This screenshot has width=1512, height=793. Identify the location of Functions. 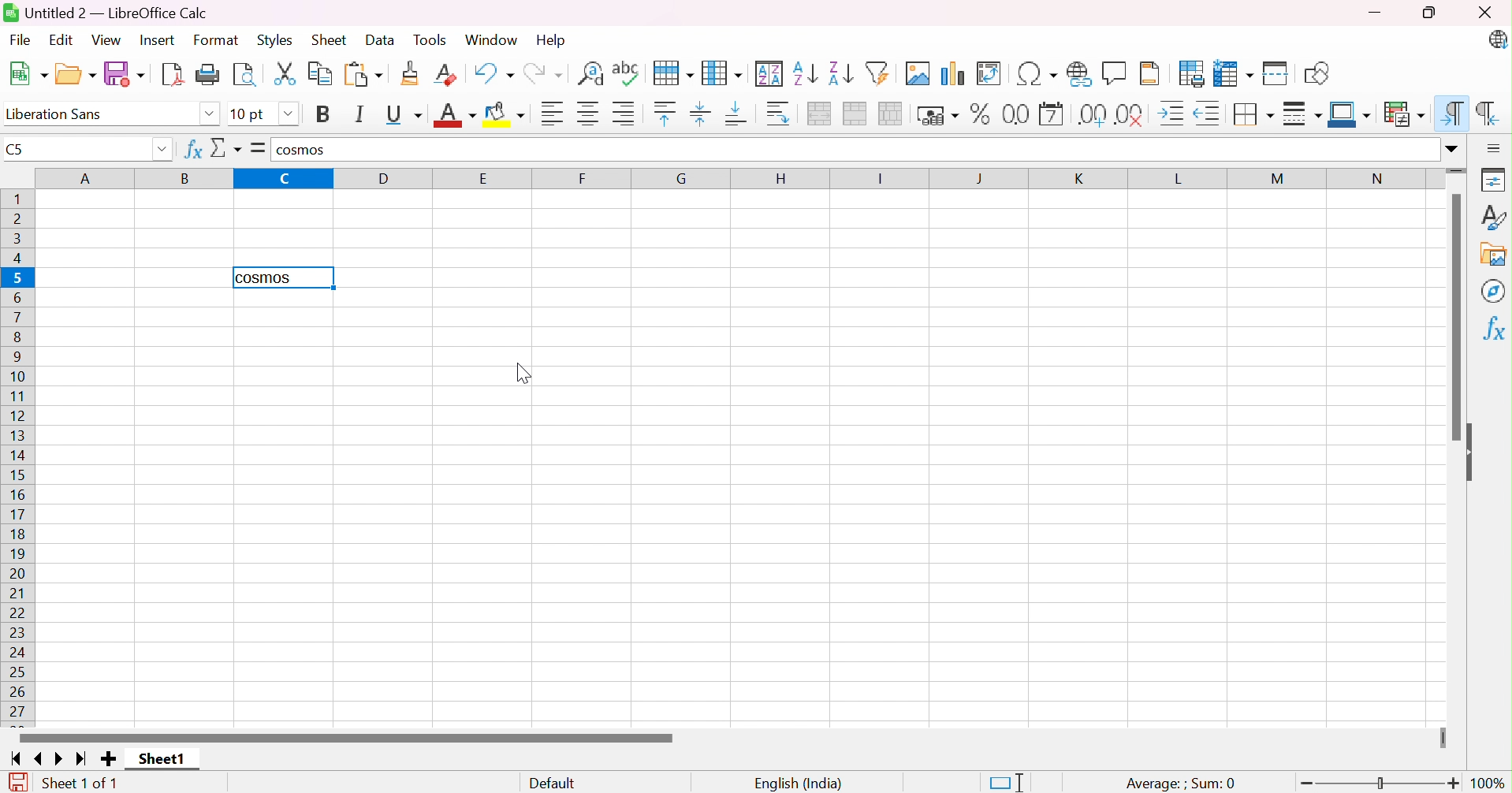
(1496, 329).